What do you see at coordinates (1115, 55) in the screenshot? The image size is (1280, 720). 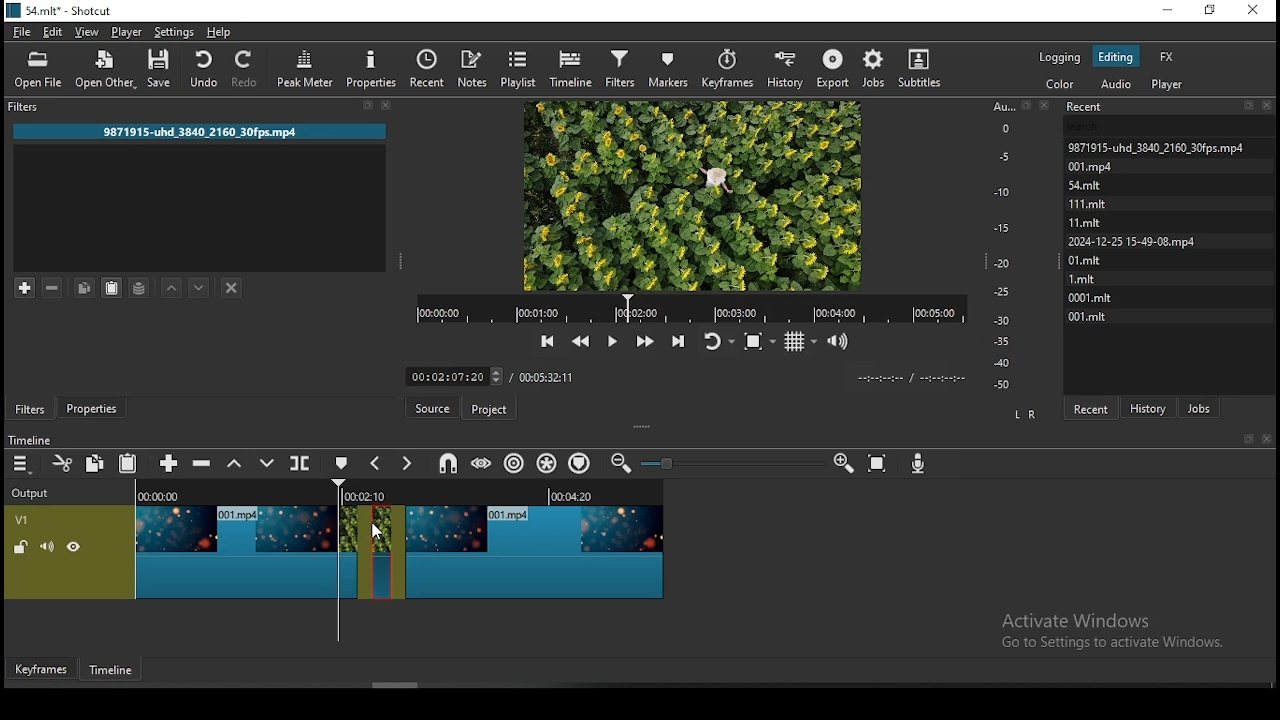 I see `editing` at bounding box center [1115, 55].